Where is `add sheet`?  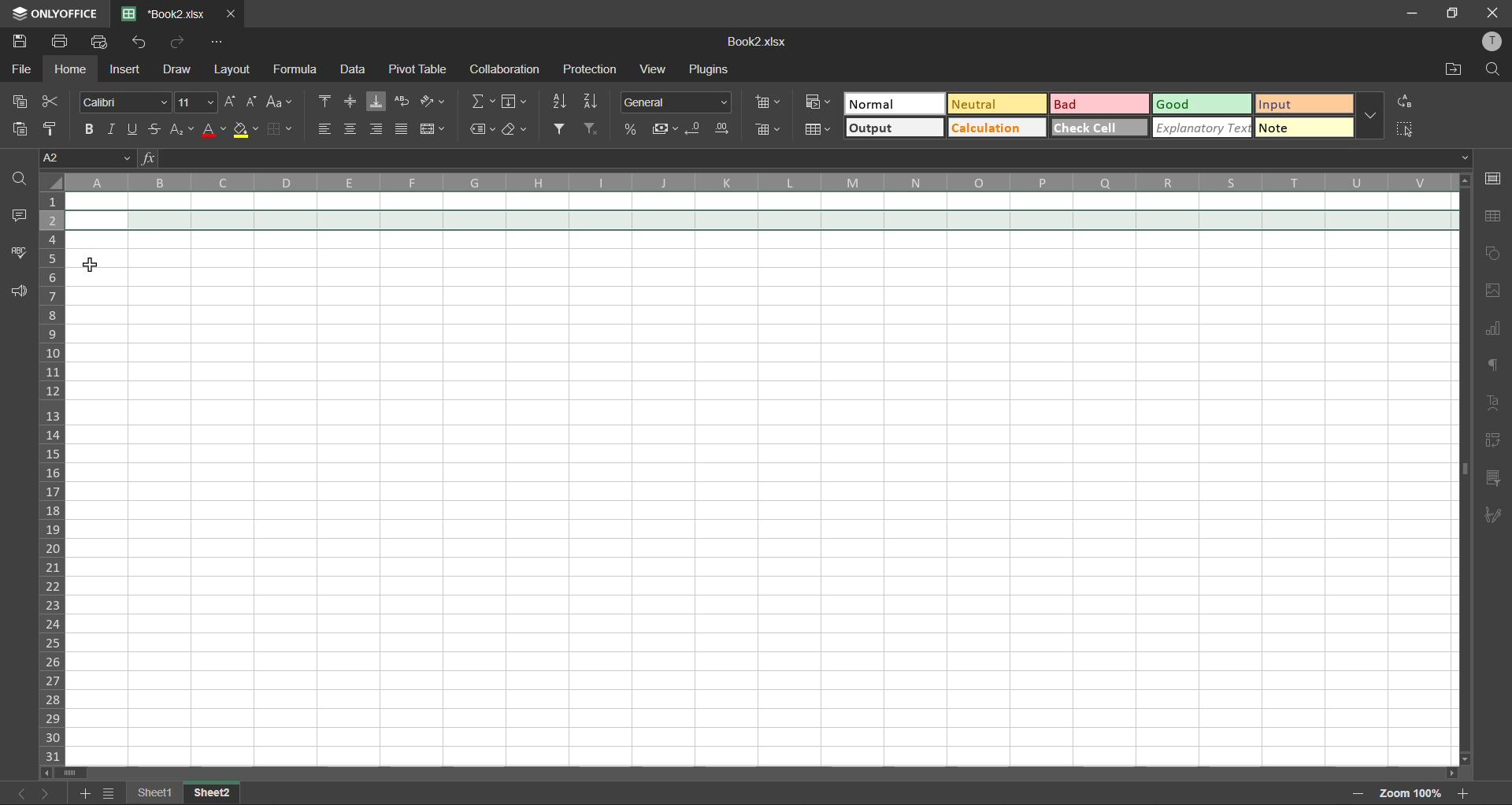 add sheet is located at coordinates (85, 793).